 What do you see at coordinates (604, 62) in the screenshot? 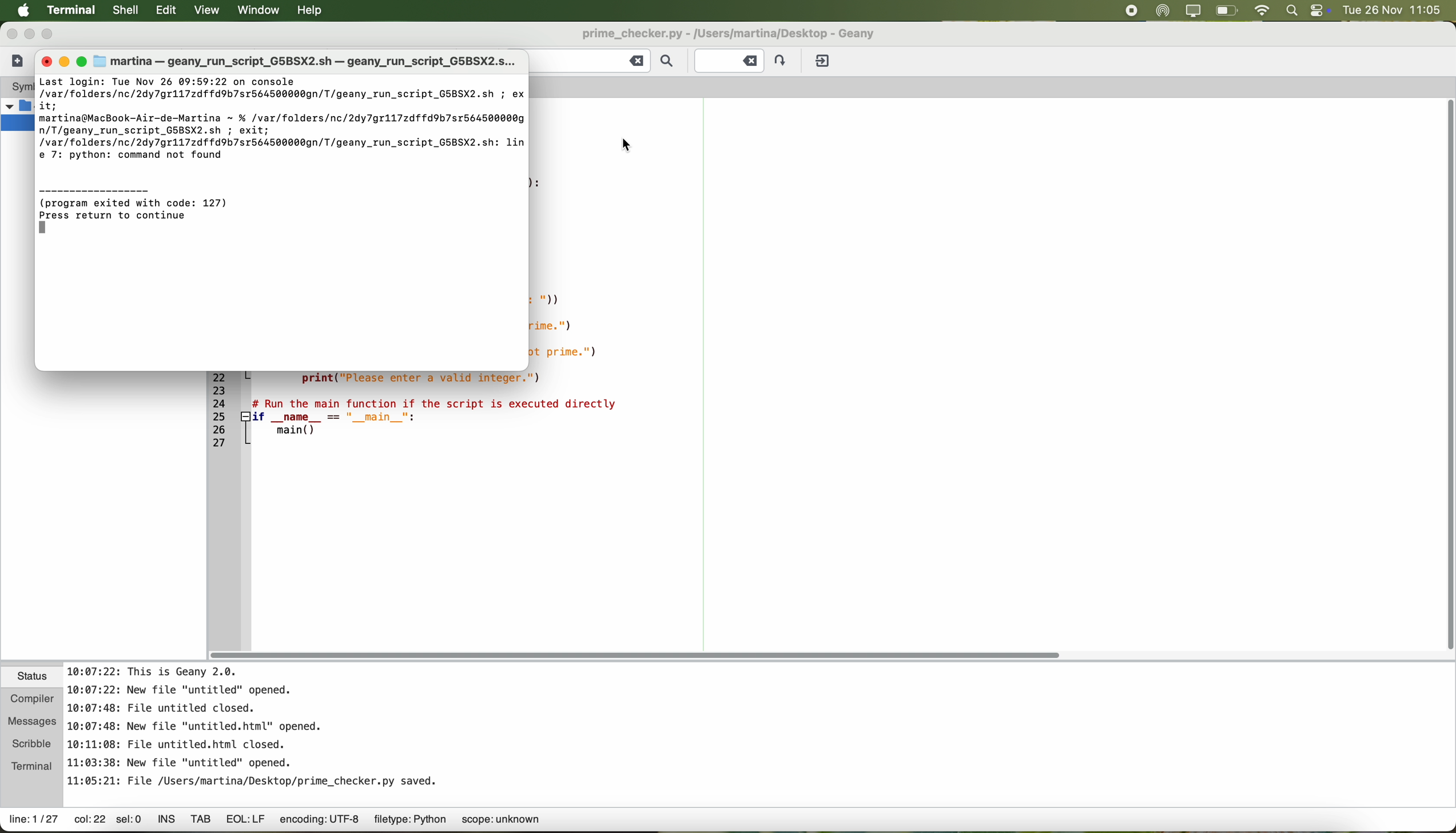
I see `find the entered text in the current file` at bounding box center [604, 62].